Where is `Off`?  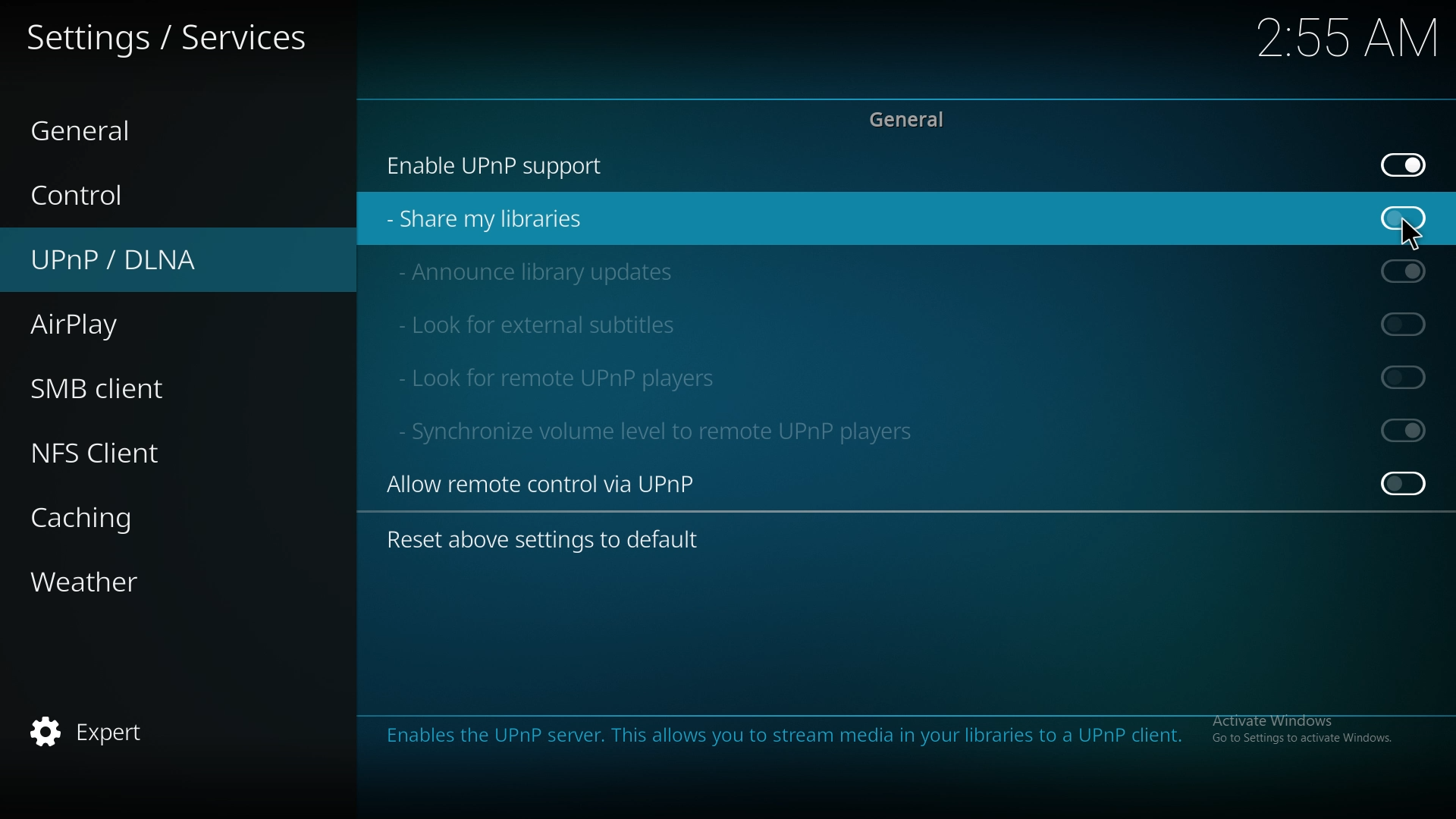 Off is located at coordinates (1404, 483).